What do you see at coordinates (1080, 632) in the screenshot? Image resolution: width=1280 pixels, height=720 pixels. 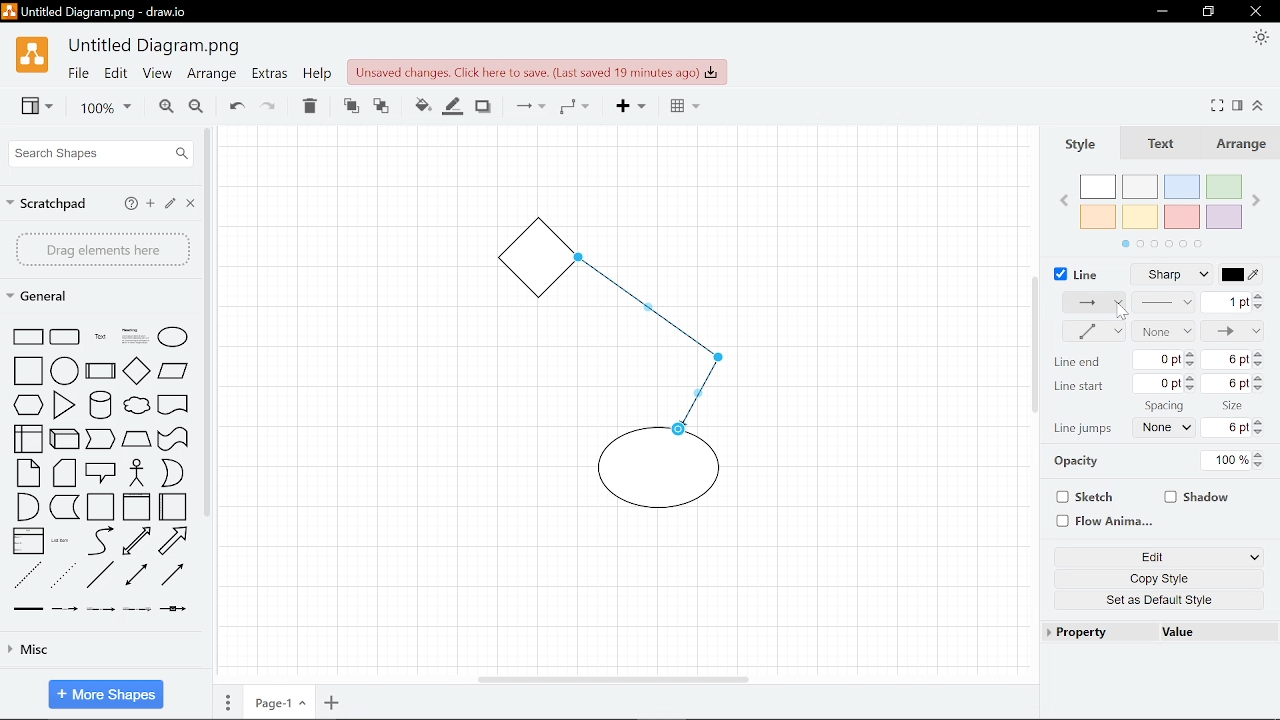 I see `» Property` at bounding box center [1080, 632].